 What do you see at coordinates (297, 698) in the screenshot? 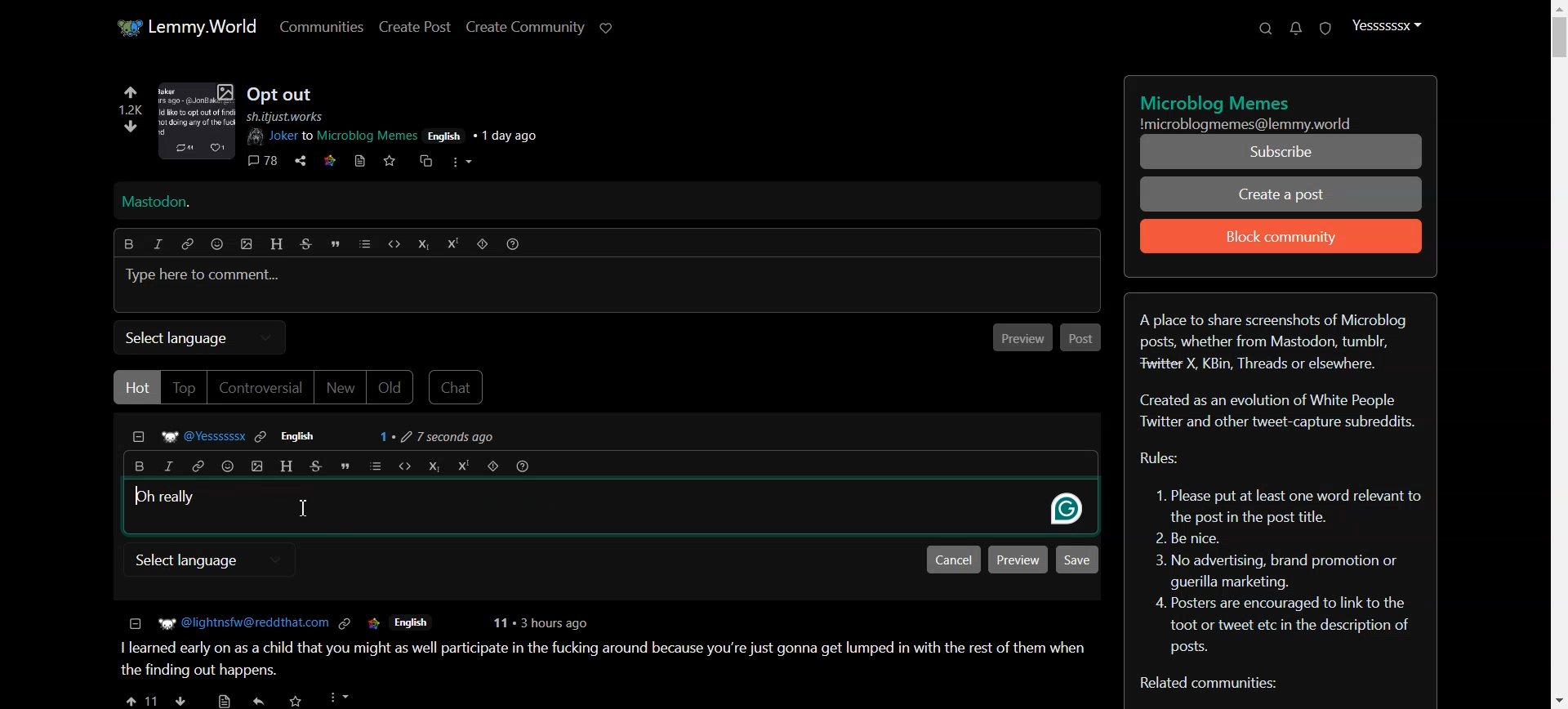
I see `` at bounding box center [297, 698].